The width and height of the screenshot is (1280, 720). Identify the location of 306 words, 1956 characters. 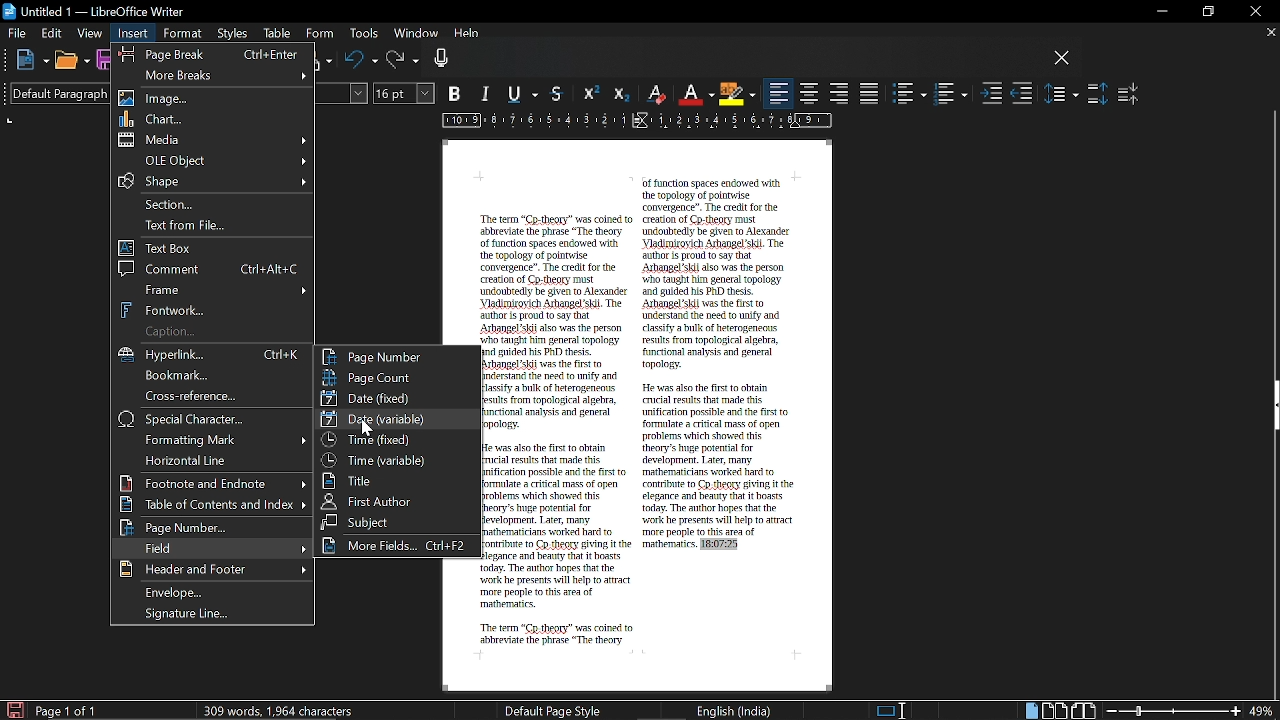
(282, 710).